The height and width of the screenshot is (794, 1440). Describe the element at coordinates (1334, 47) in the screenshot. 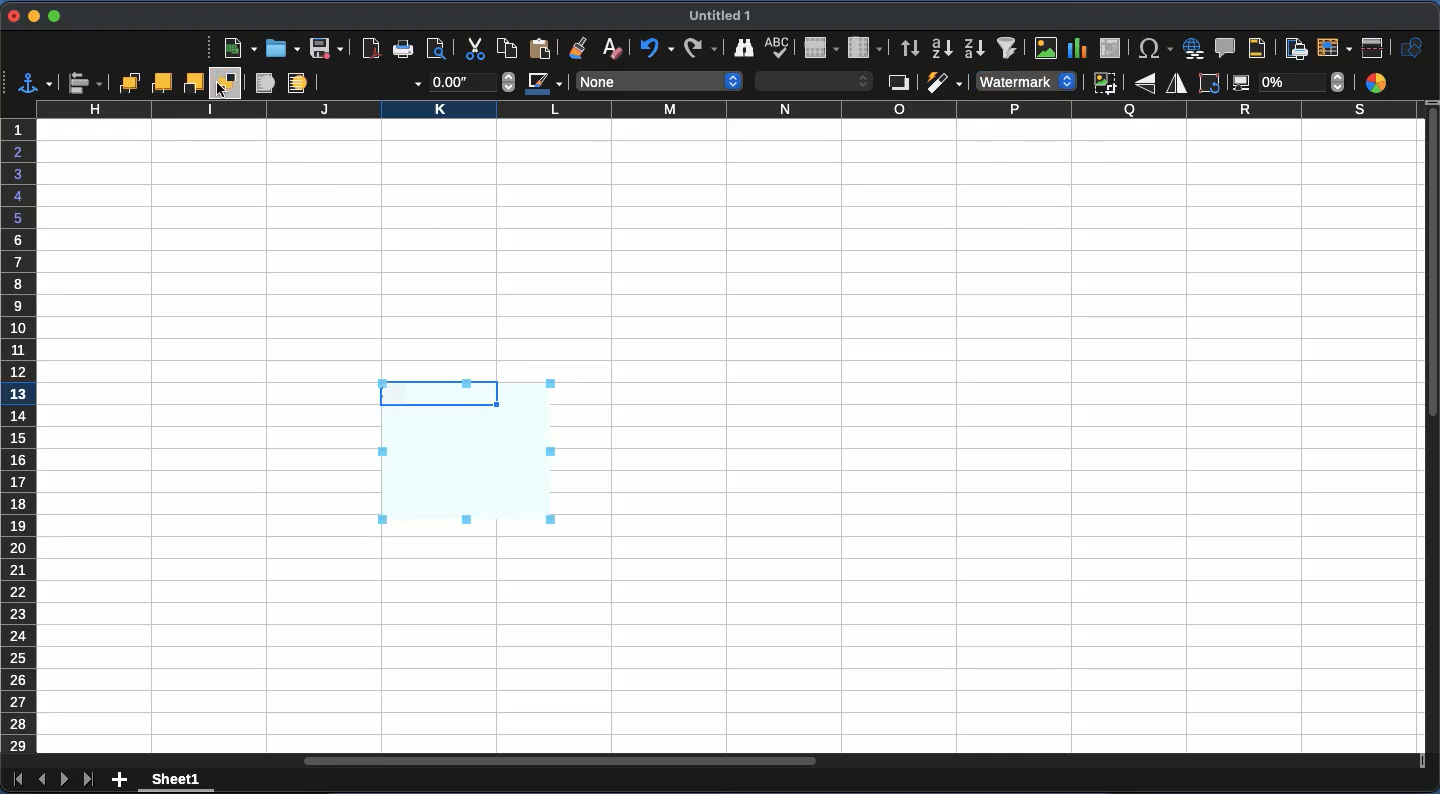

I see `freeze rows and columns` at that location.